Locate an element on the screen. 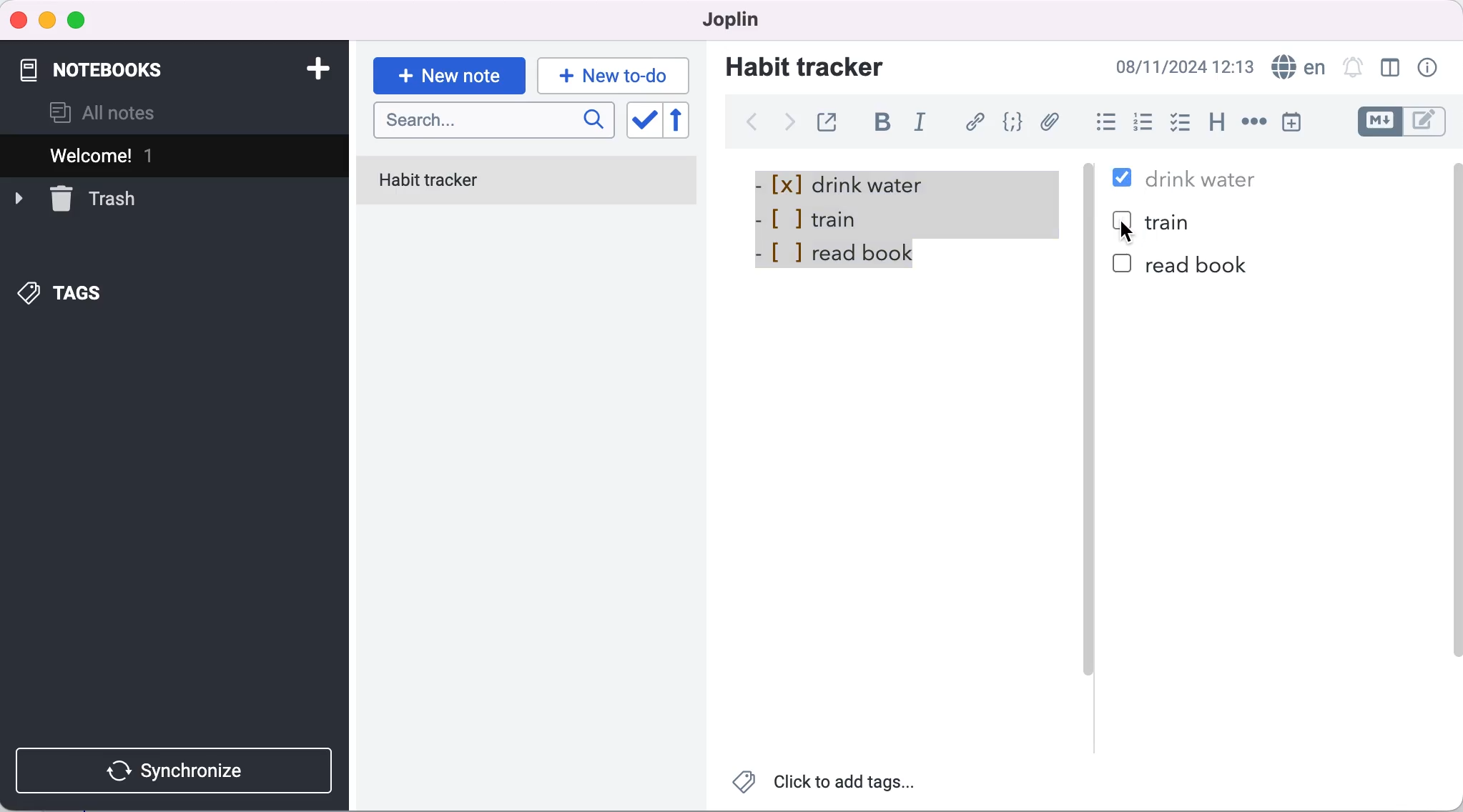 This screenshot has height=812, width=1463. reverse sort order is located at coordinates (686, 121).